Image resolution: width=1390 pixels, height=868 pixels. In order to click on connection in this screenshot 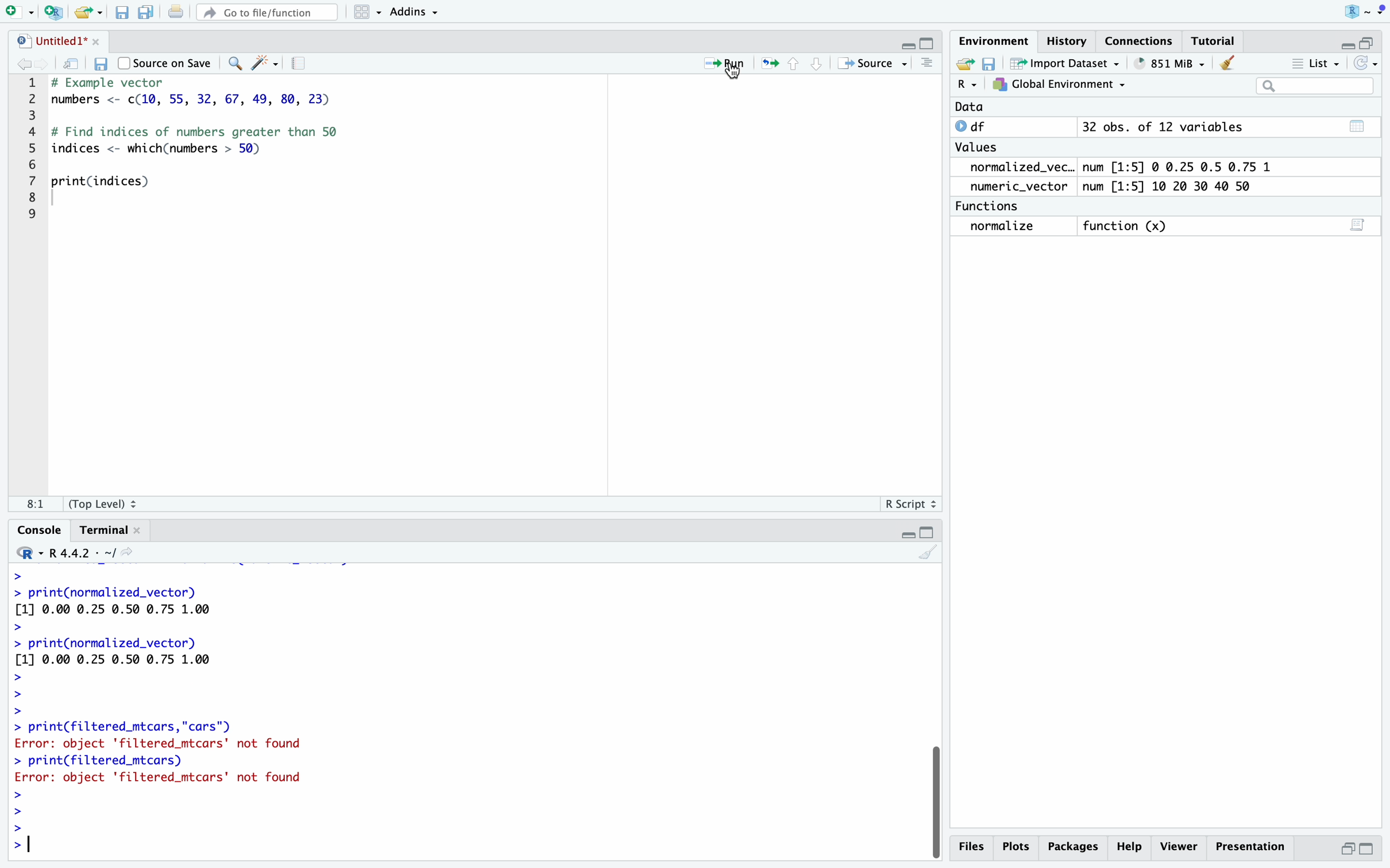, I will do `click(1144, 41)`.